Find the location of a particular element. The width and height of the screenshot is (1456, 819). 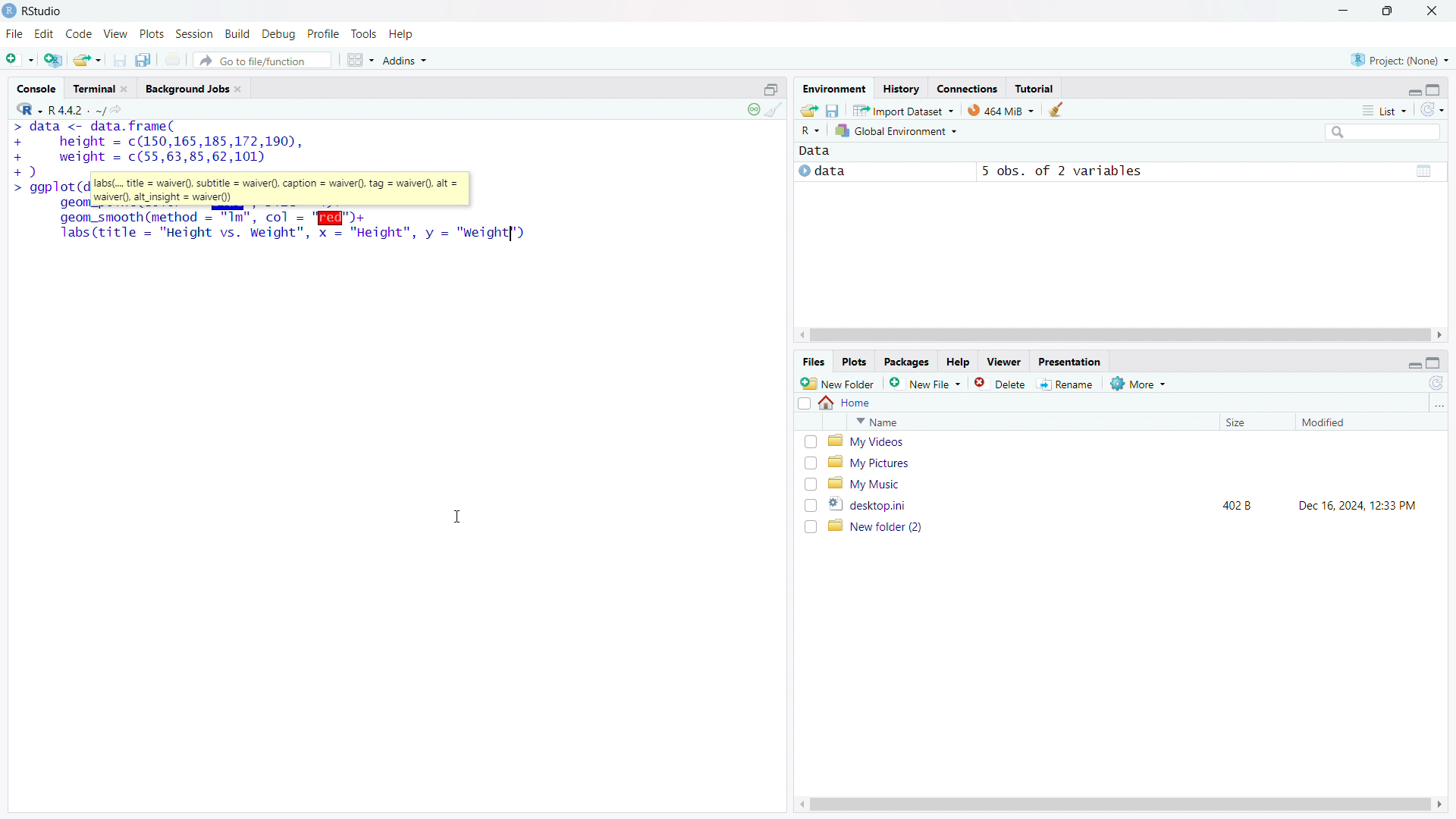

scroll left is located at coordinates (802, 335).